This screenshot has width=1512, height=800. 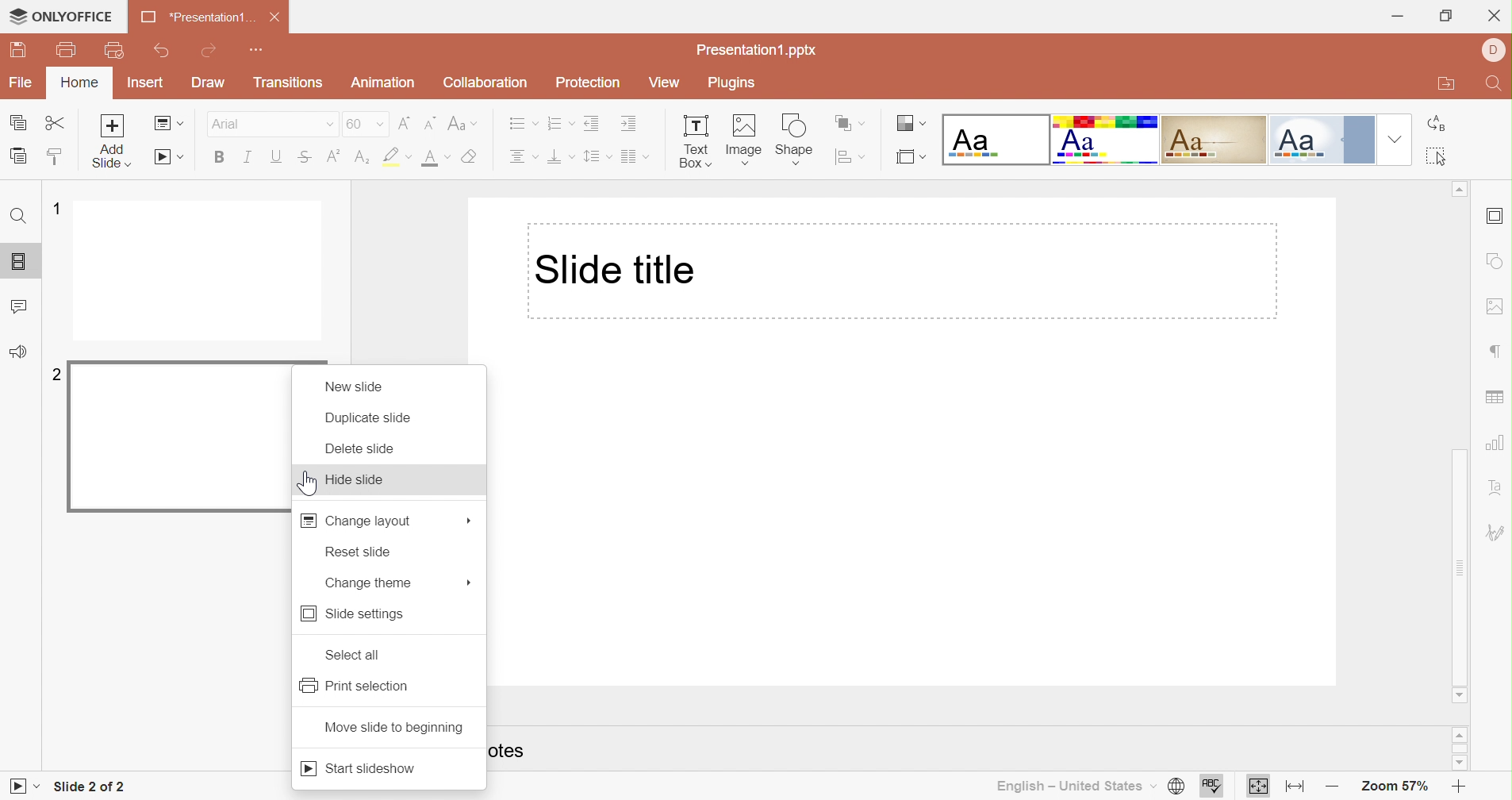 What do you see at coordinates (994, 140) in the screenshot?
I see `Blank` at bounding box center [994, 140].